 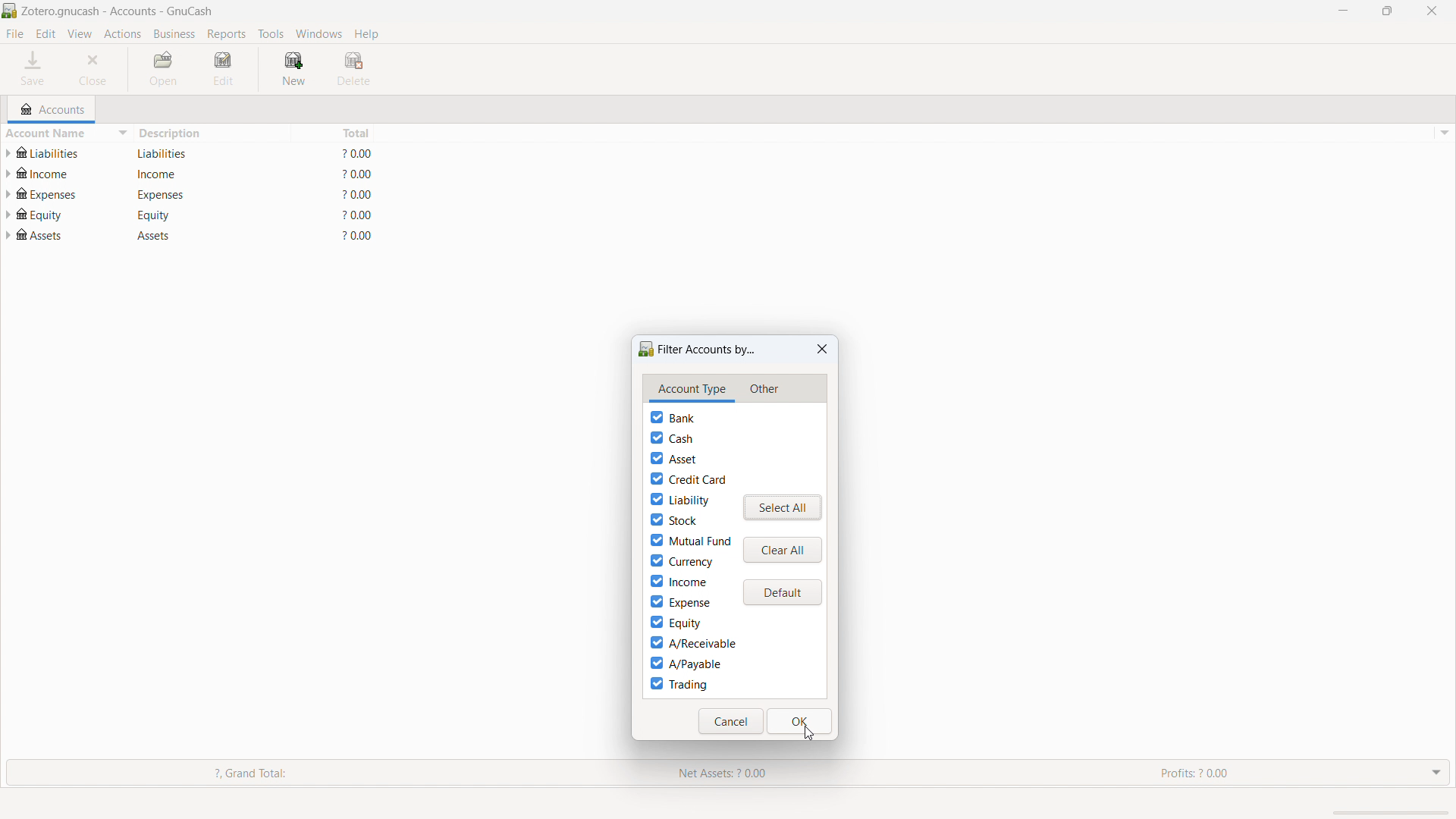 What do you see at coordinates (118, 11) in the screenshot?
I see `title` at bounding box center [118, 11].